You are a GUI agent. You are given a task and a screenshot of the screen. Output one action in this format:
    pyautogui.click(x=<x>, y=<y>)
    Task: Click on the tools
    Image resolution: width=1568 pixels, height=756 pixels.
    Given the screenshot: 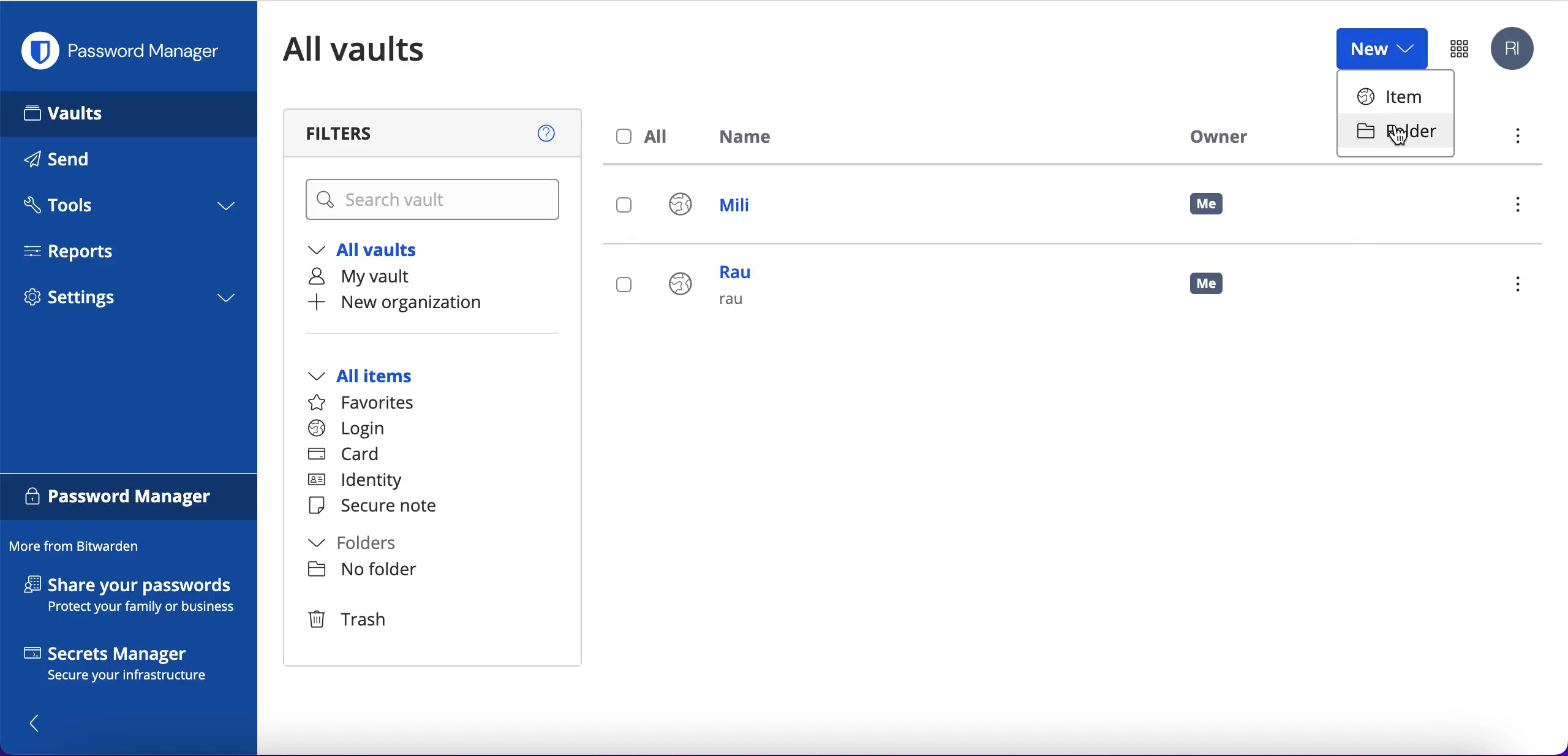 What is the action you would take?
    pyautogui.click(x=127, y=209)
    